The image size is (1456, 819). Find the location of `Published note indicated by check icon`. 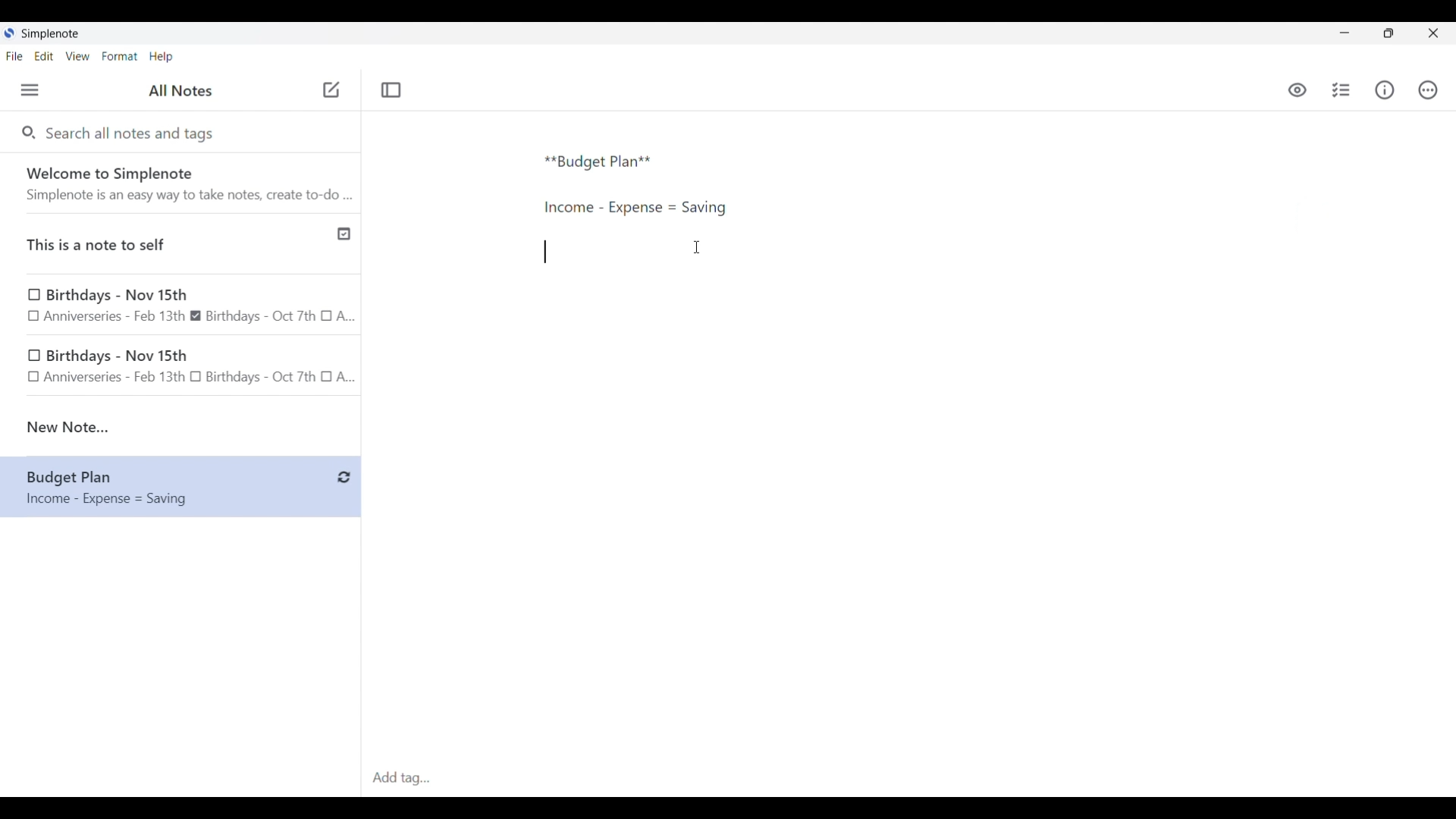

Published note indicated by check icon is located at coordinates (182, 244).